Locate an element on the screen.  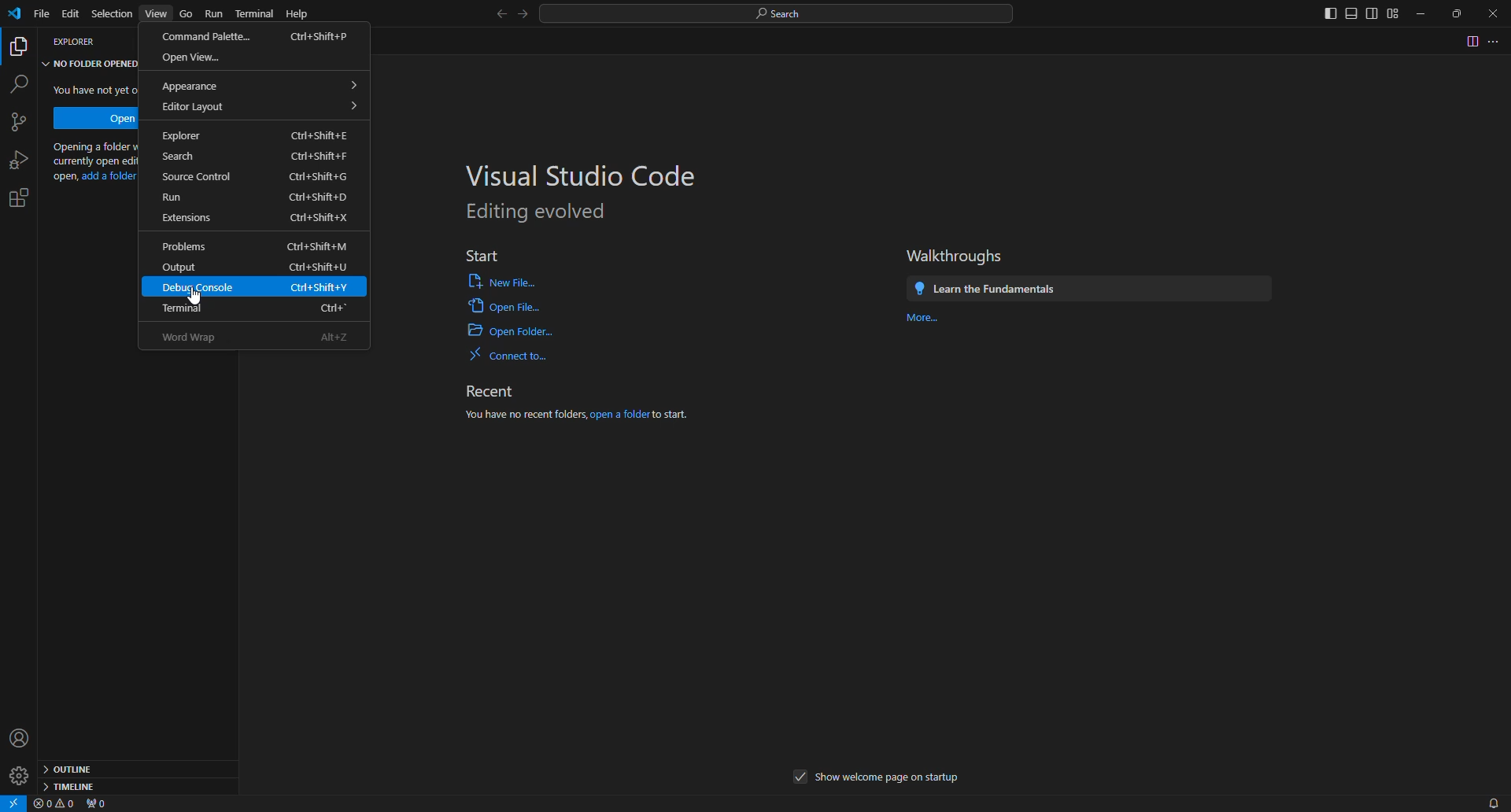
No folder opened tab is located at coordinates (91, 64).